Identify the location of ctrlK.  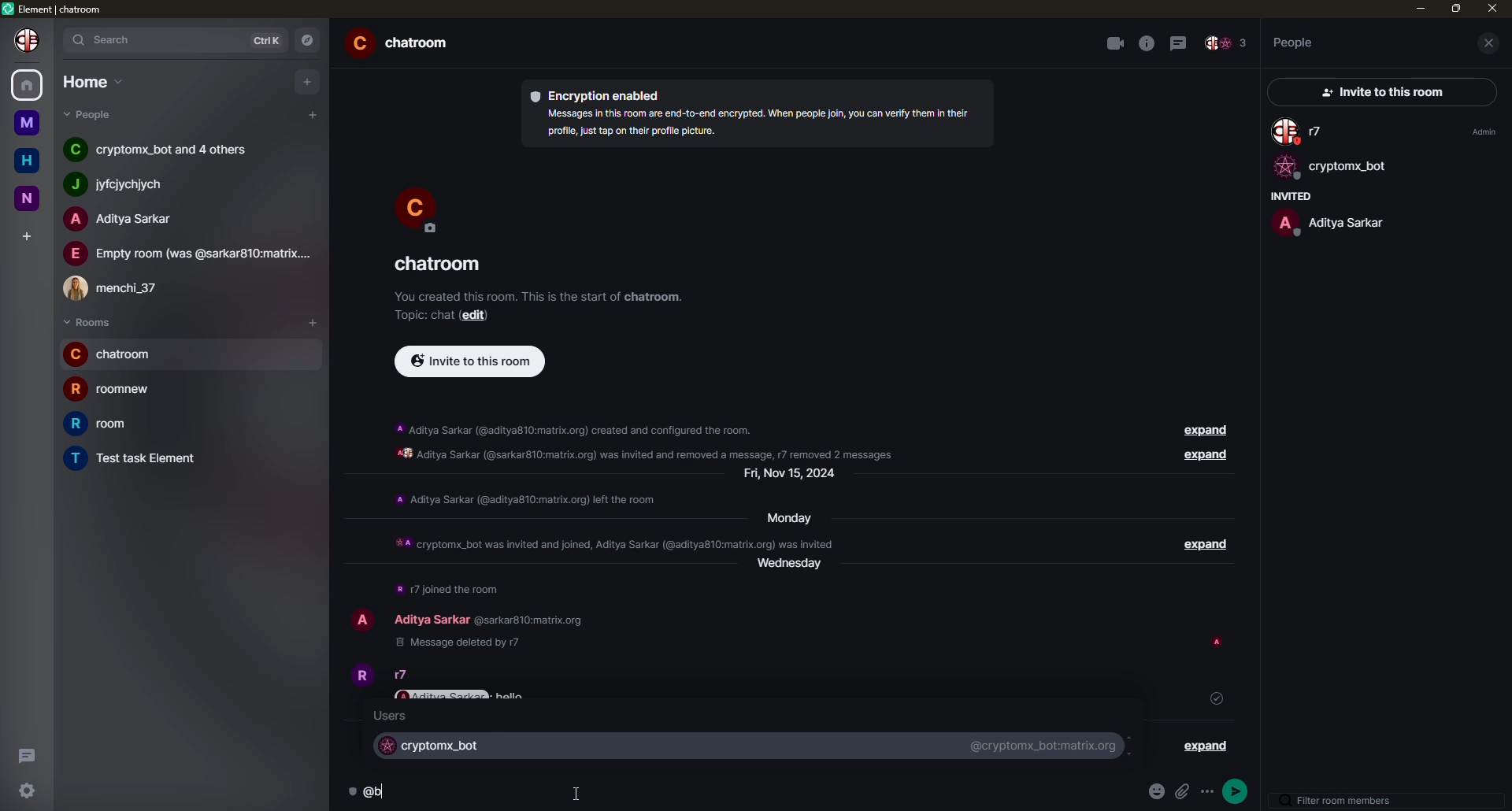
(267, 41).